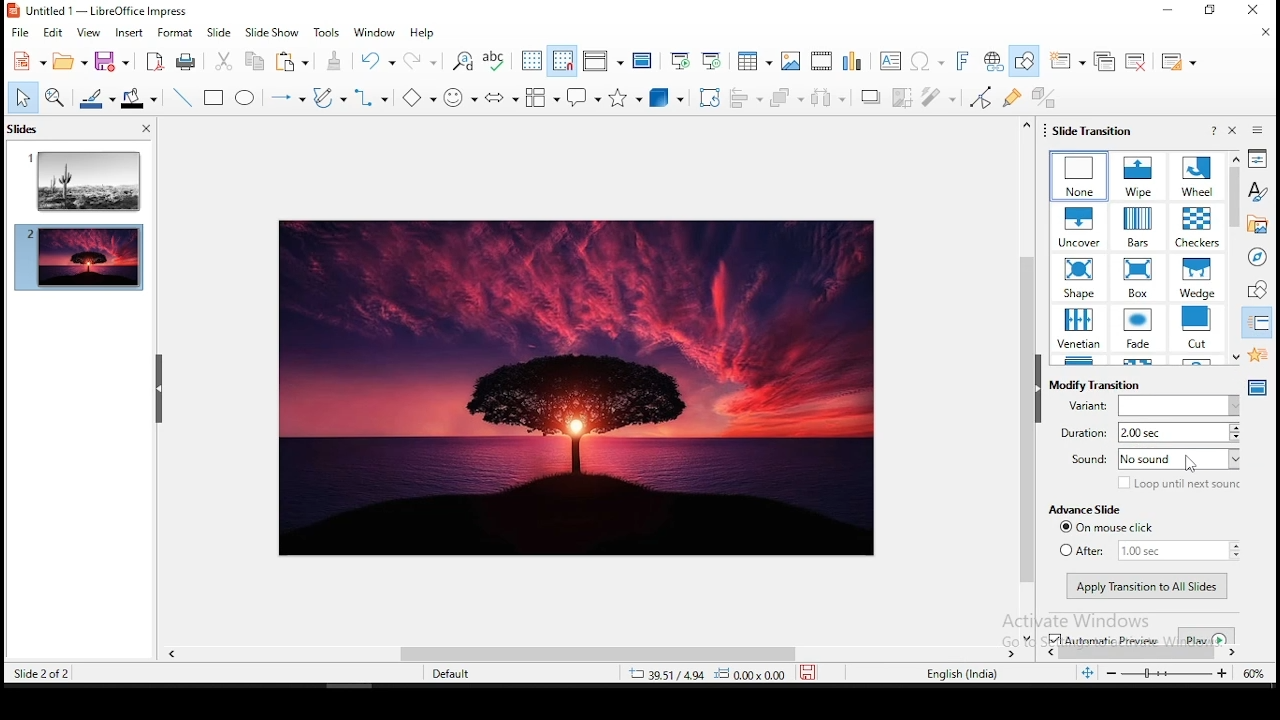  I want to click on transition effects, so click(1198, 327).